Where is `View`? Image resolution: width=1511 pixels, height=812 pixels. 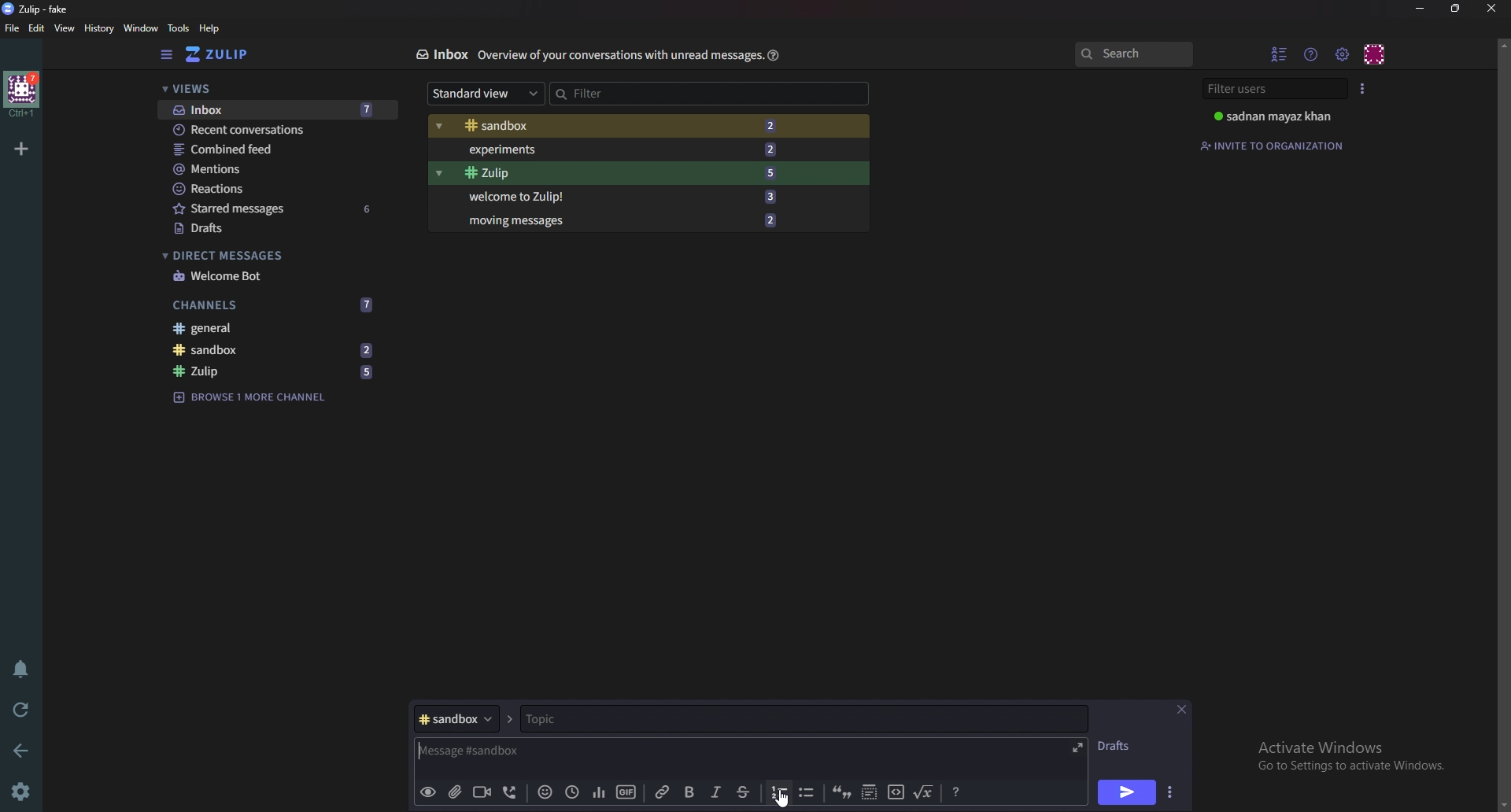
View is located at coordinates (65, 29).